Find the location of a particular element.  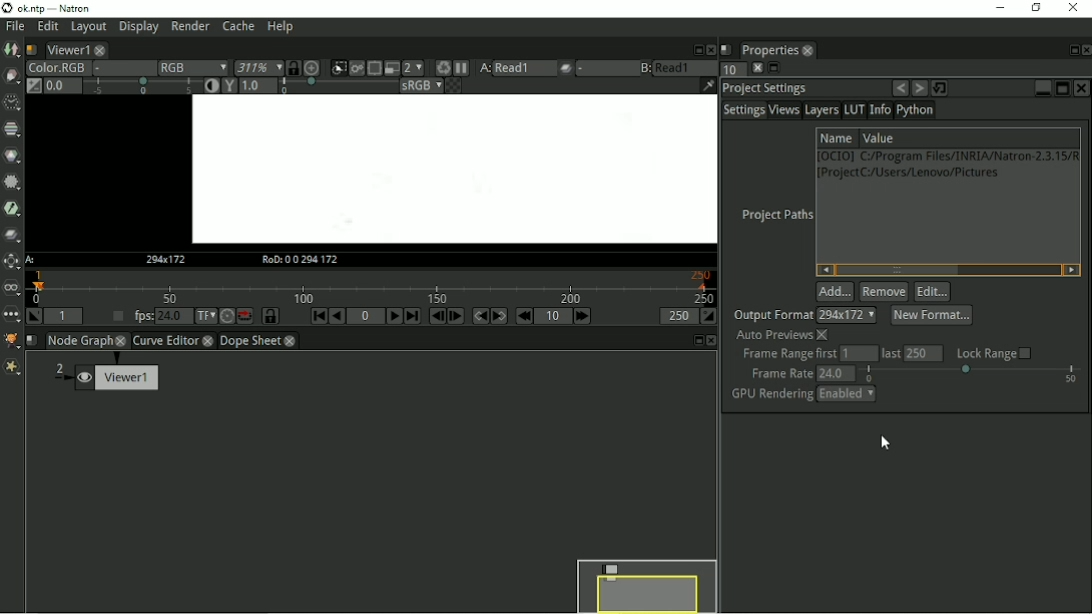

A is located at coordinates (32, 260).